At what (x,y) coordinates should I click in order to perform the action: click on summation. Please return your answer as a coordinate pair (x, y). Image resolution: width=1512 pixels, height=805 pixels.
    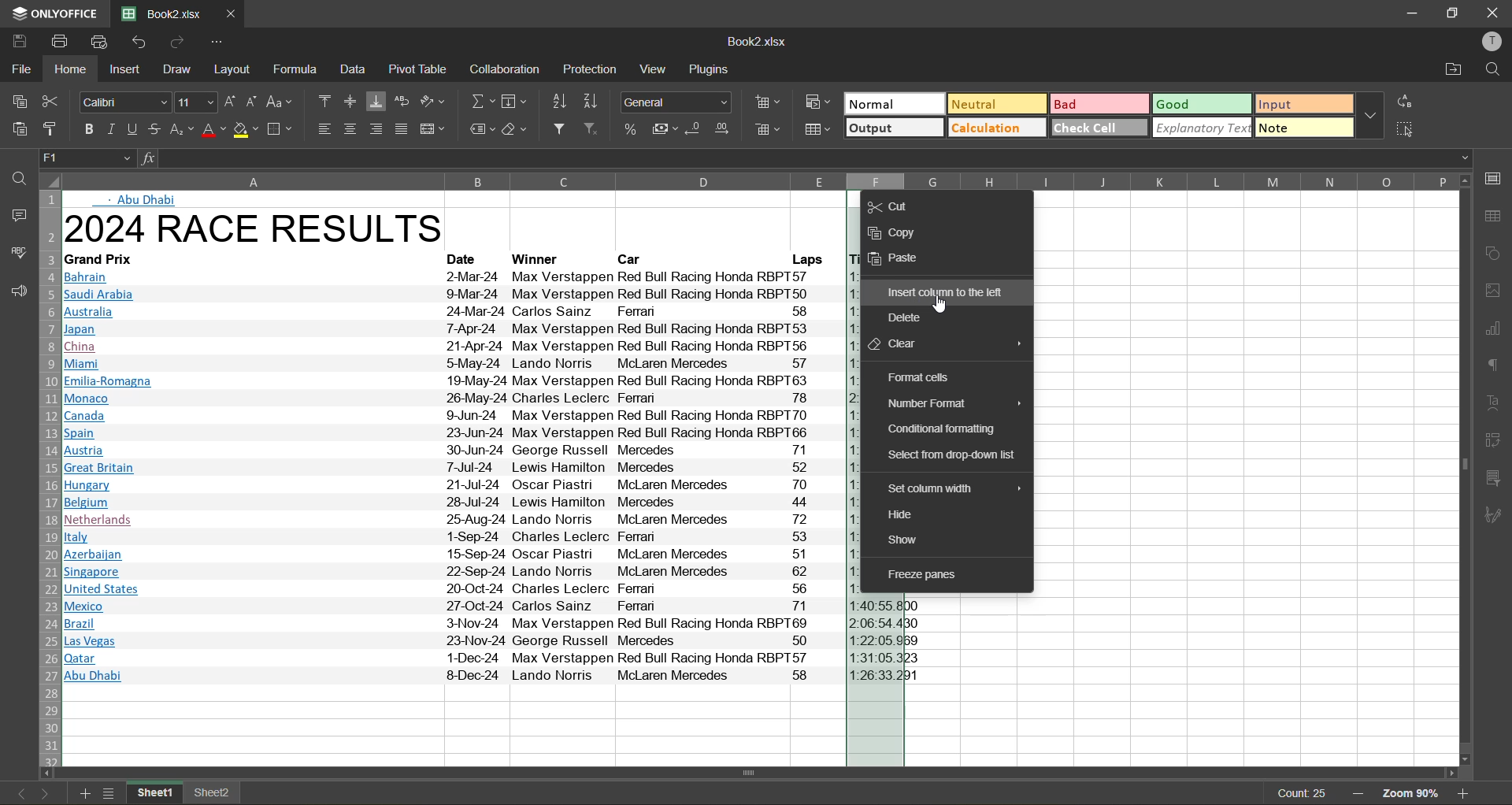
    Looking at the image, I should click on (478, 102).